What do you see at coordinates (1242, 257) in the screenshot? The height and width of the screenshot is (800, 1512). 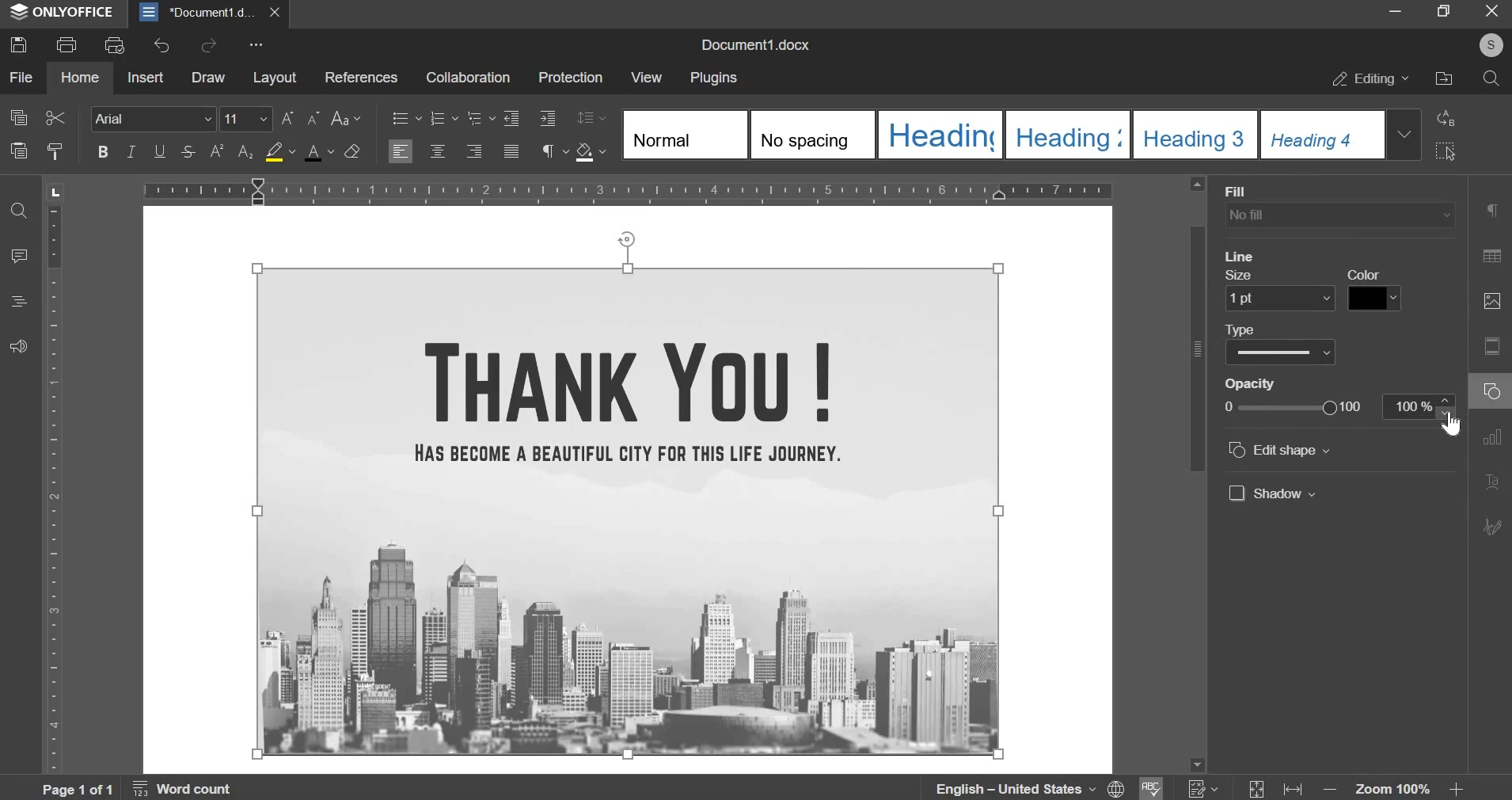 I see `line` at bounding box center [1242, 257].